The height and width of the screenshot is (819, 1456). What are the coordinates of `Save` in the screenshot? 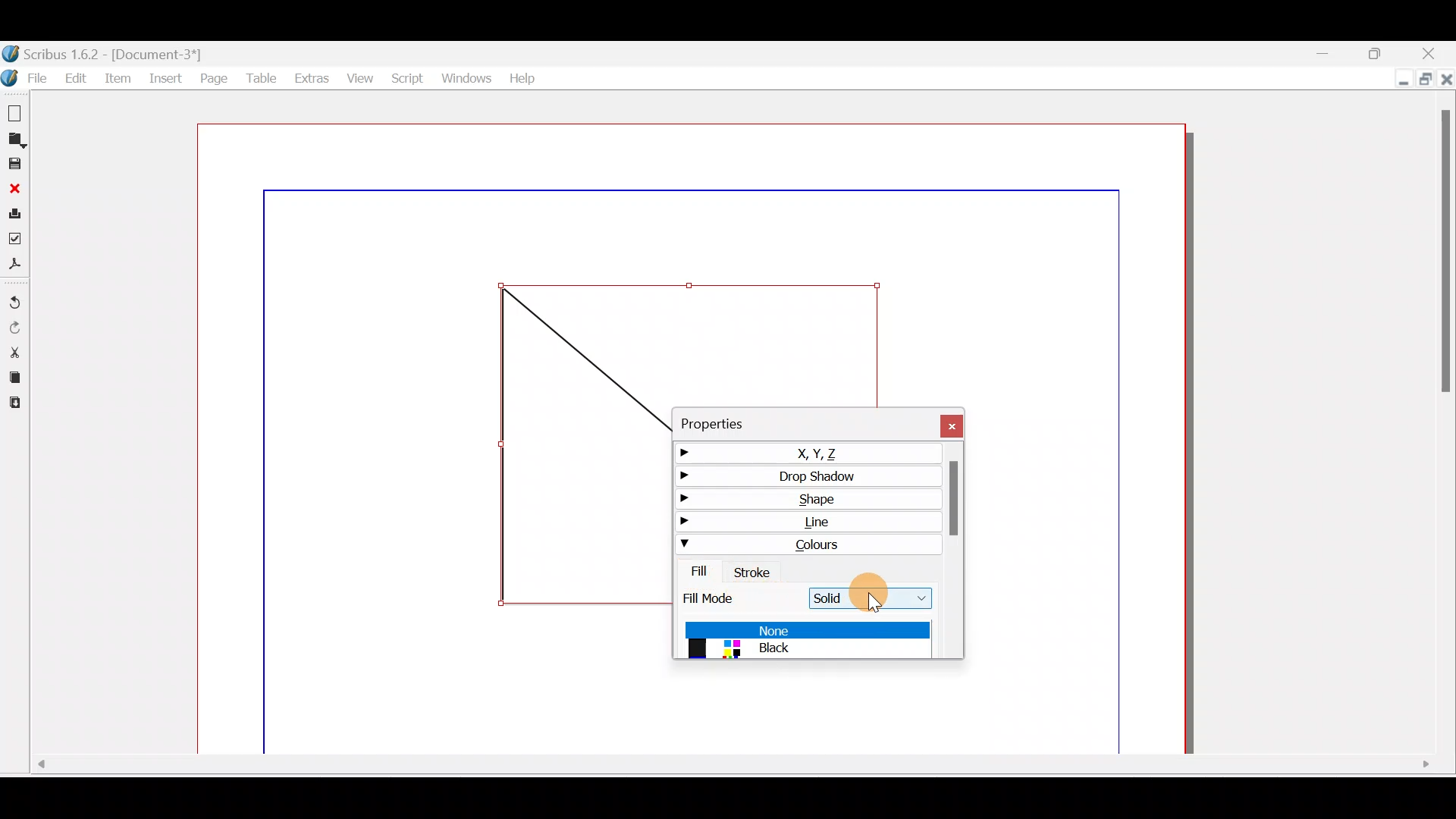 It's located at (14, 163).